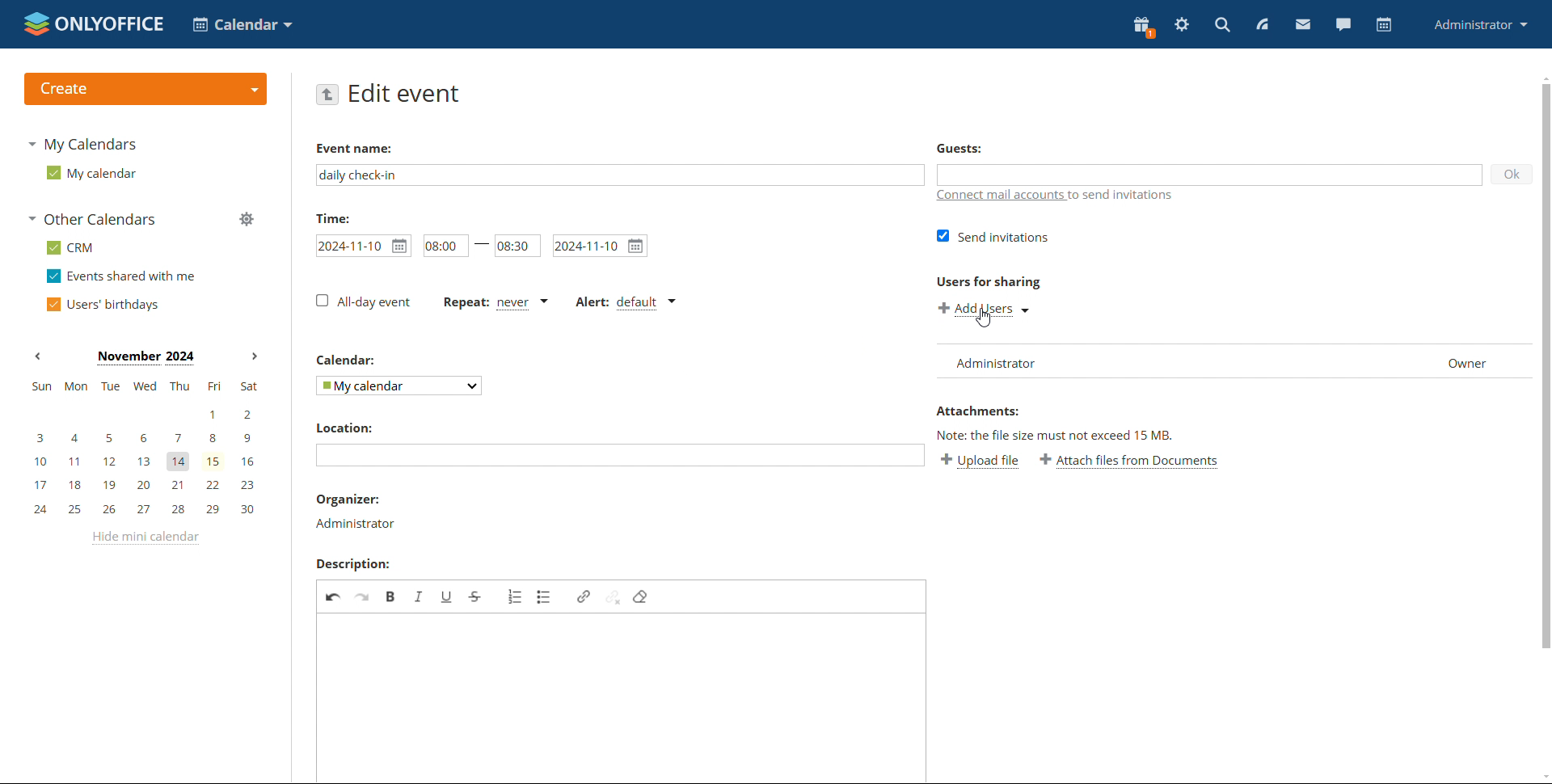 This screenshot has width=1552, height=784. I want to click on italic, so click(420, 596).